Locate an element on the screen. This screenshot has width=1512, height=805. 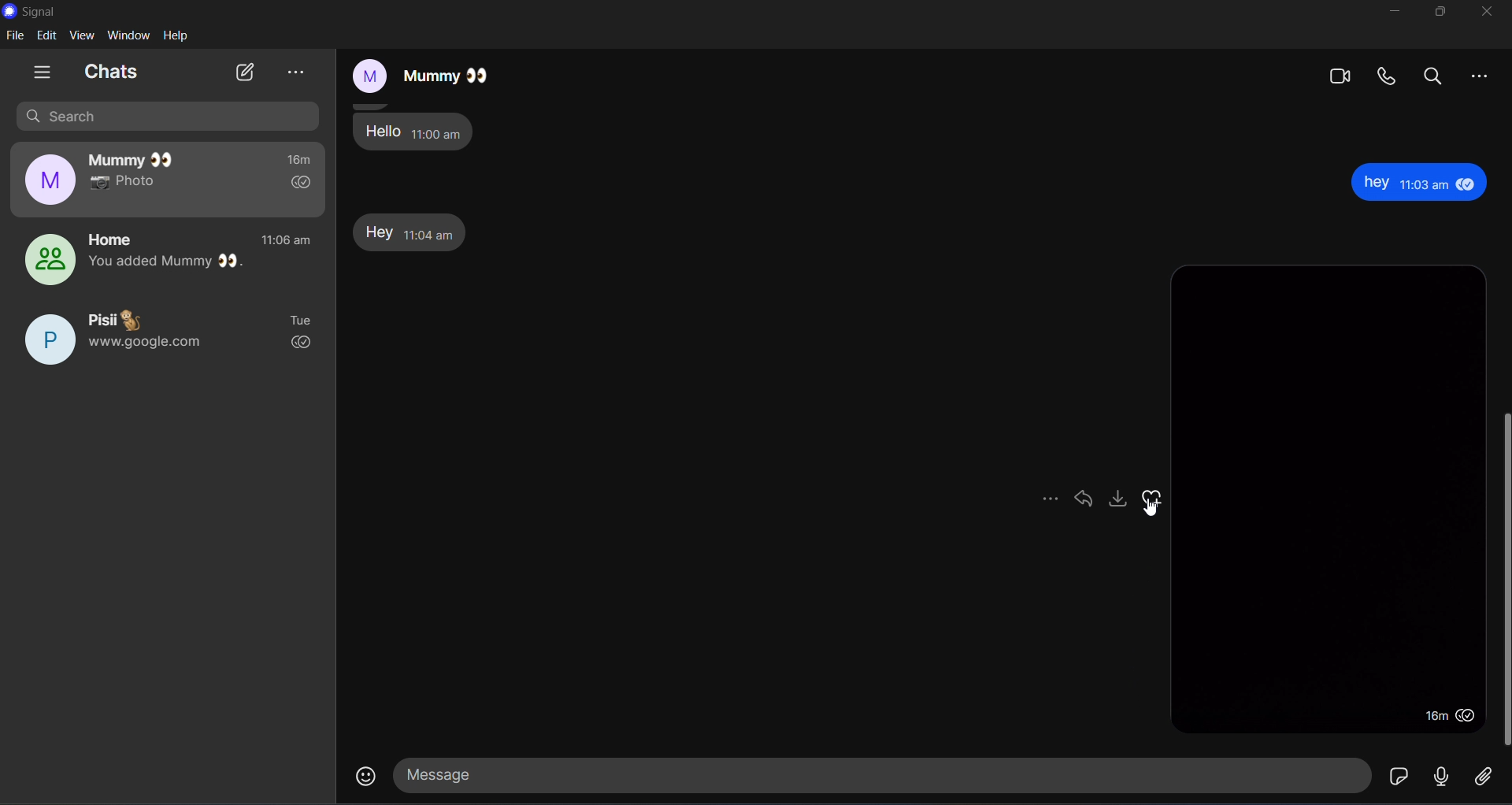
chats is located at coordinates (111, 72).